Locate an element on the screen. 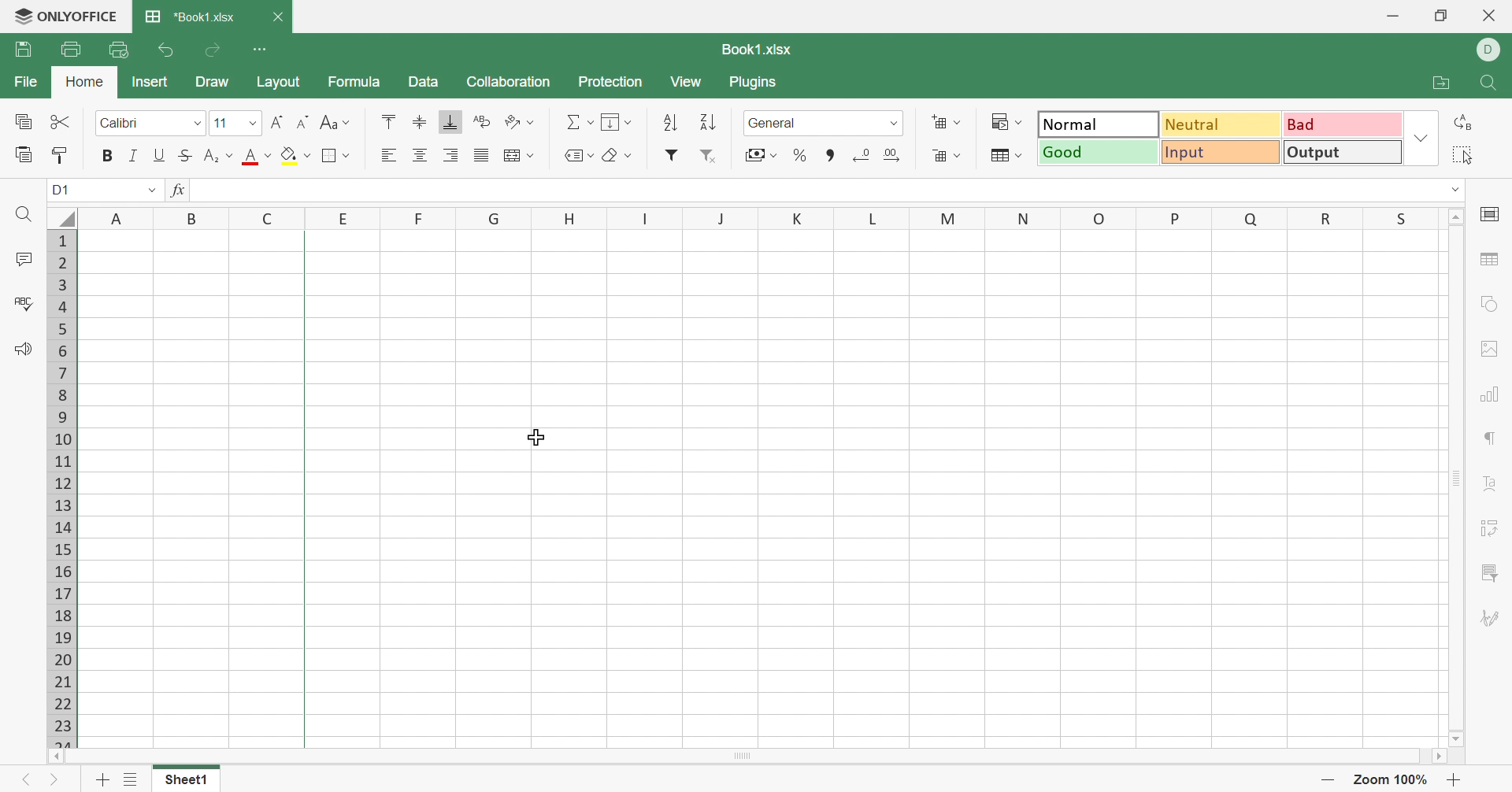 This screenshot has height=792, width=1512. Drop Down is located at coordinates (1425, 134).